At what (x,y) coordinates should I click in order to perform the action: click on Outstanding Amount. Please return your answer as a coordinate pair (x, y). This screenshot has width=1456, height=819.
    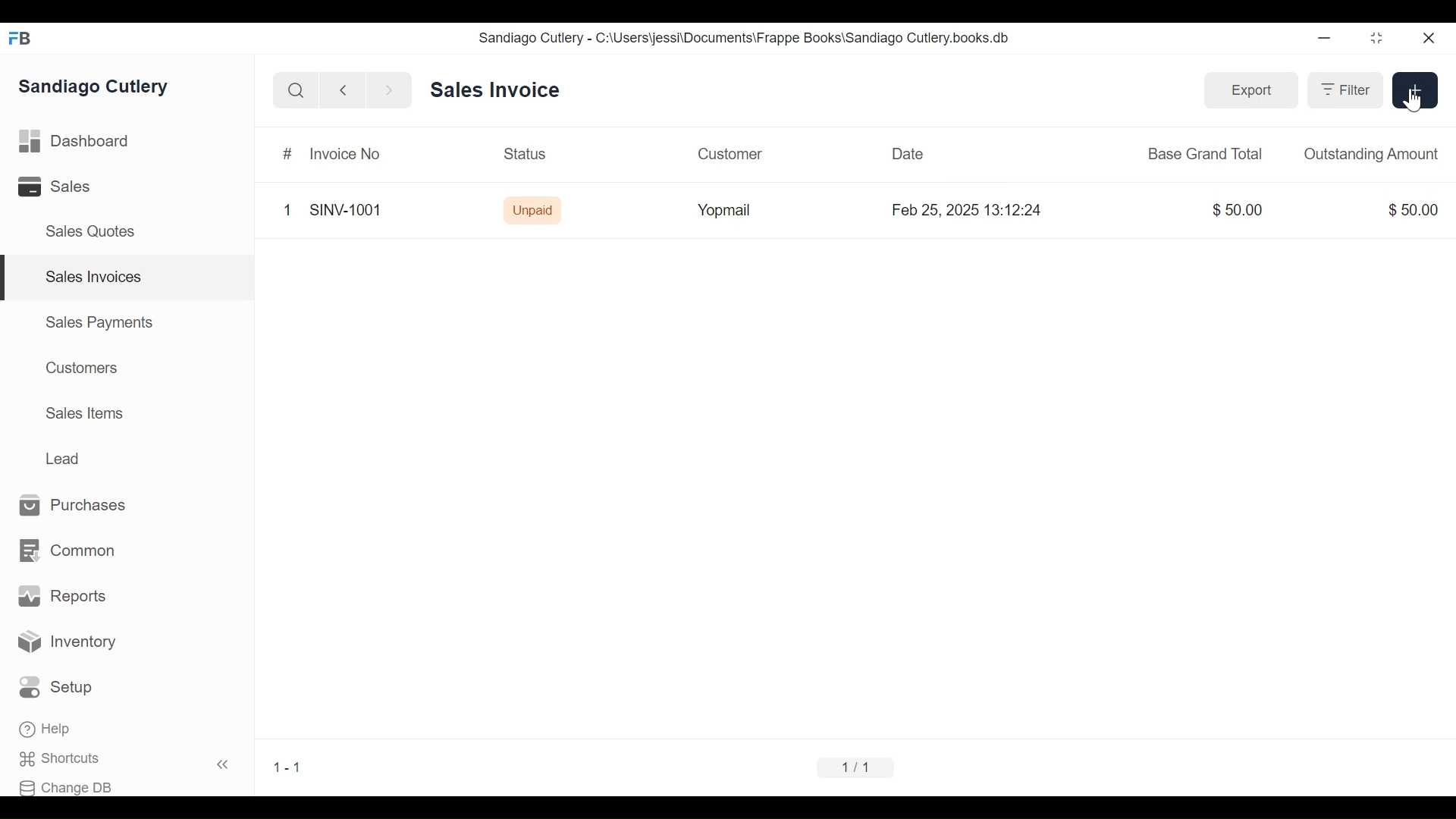
    Looking at the image, I should click on (1371, 157).